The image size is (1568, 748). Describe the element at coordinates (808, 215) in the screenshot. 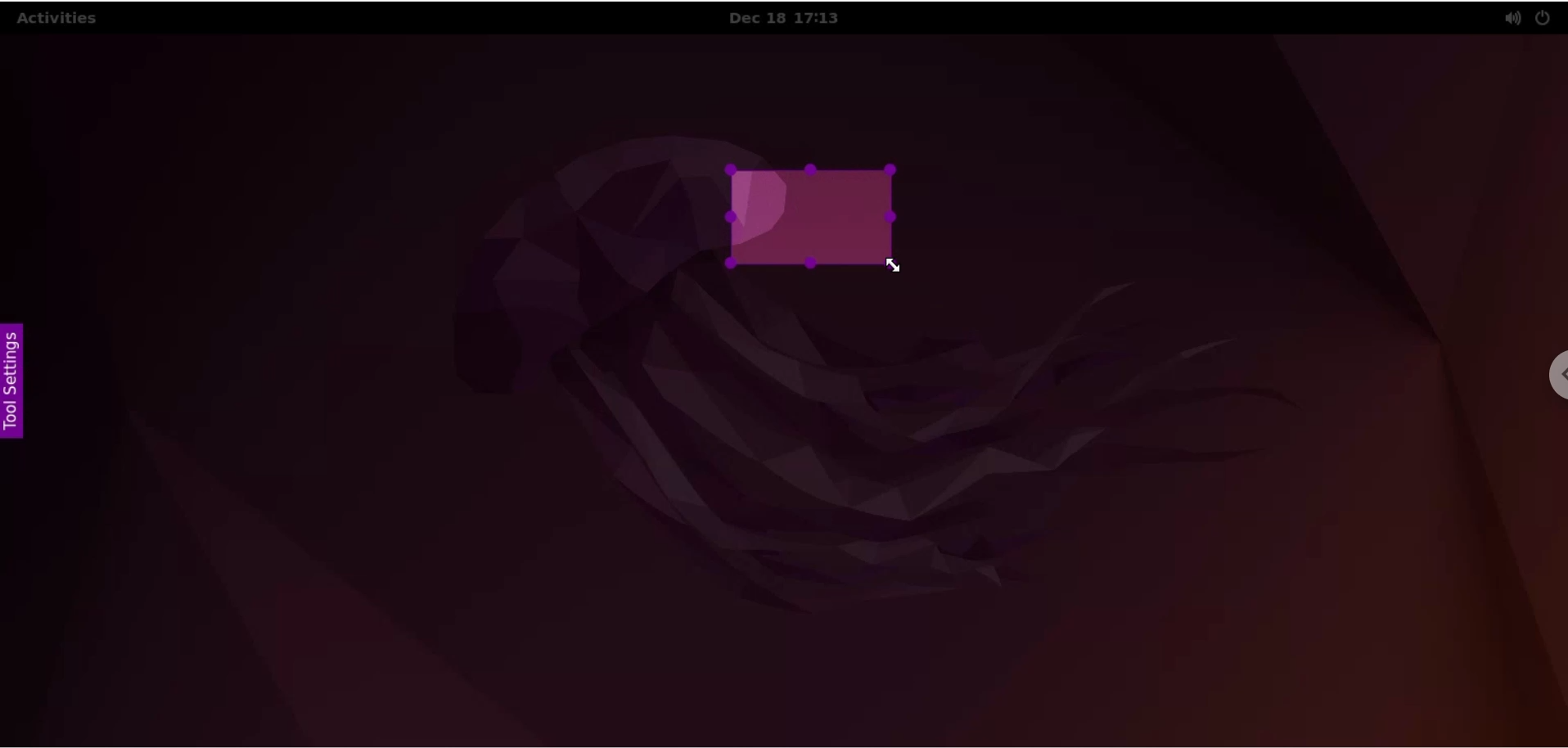

I see `selected screenshot area` at that location.